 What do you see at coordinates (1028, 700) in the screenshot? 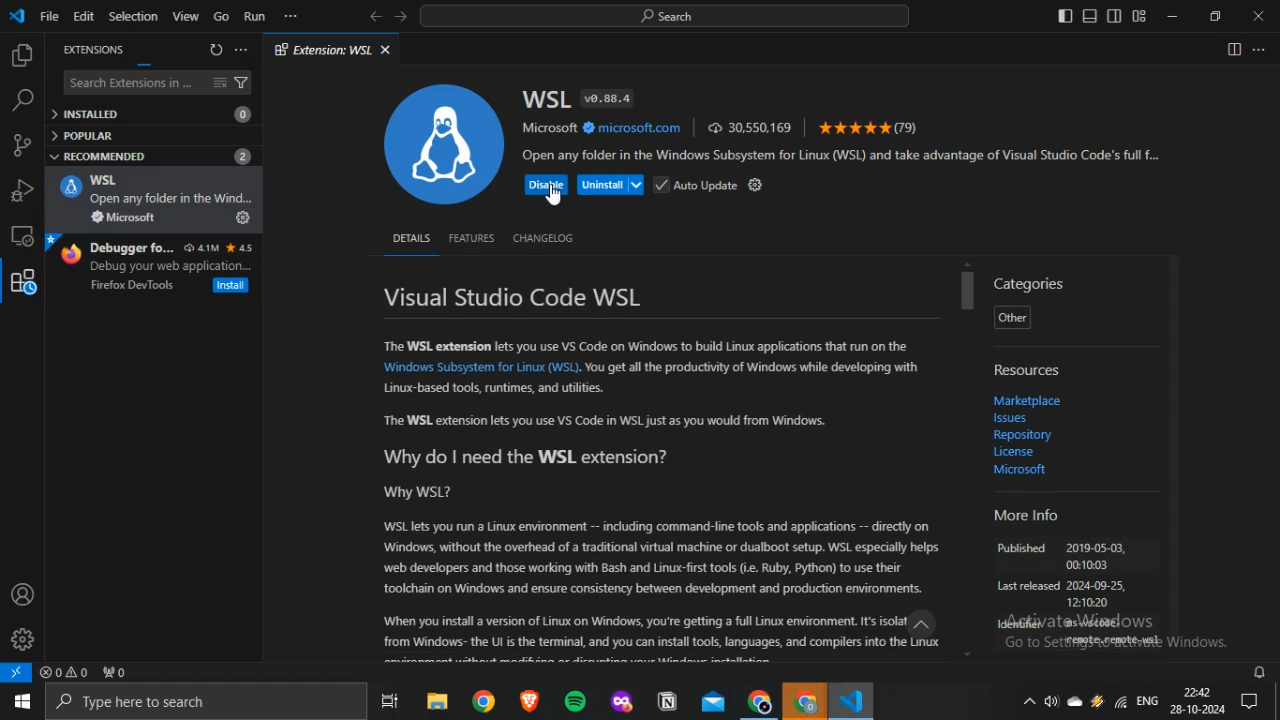
I see `show hidden icons` at bounding box center [1028, 700].